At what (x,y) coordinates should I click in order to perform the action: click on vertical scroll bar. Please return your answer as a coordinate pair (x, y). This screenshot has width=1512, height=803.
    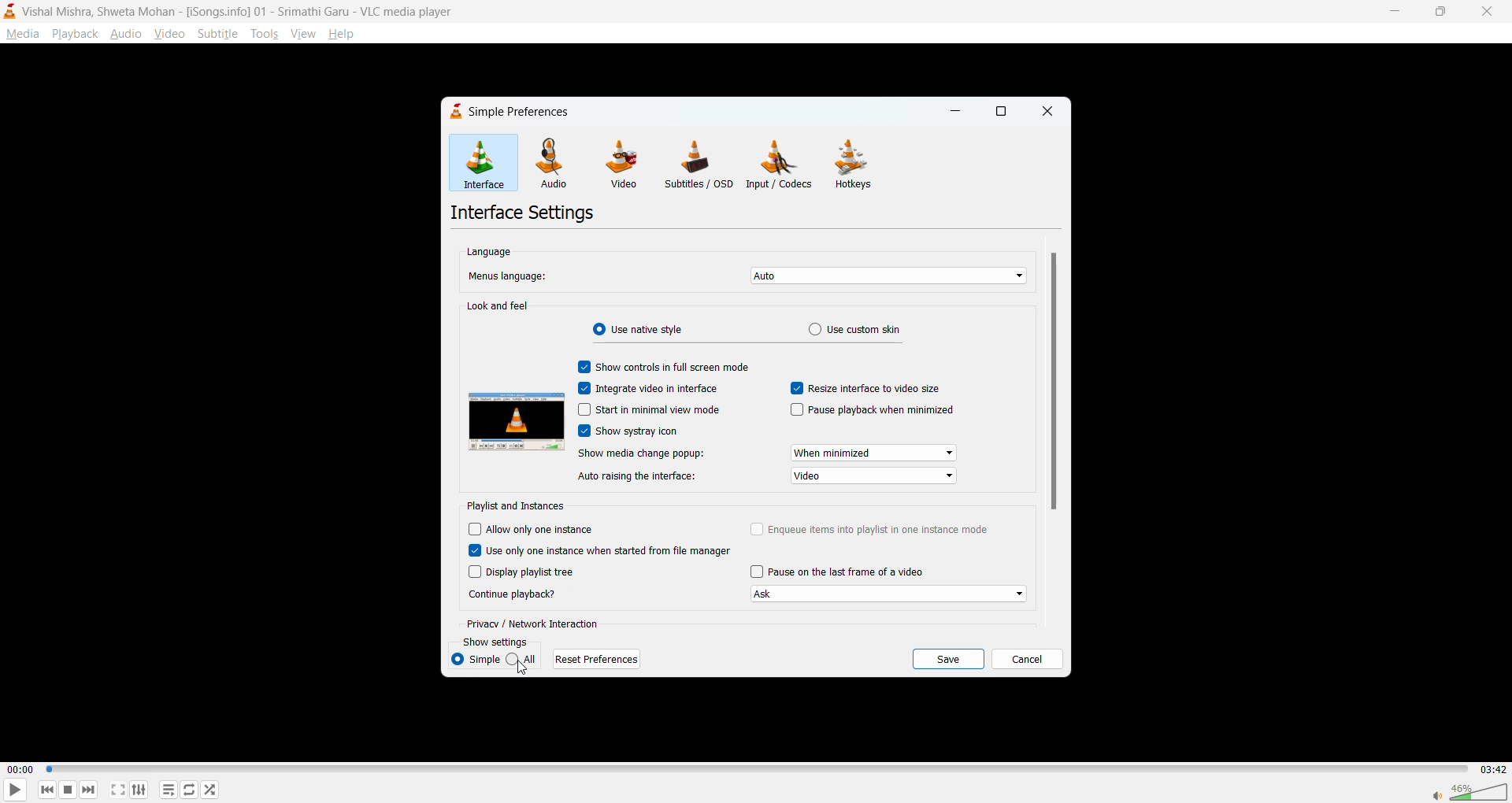
    Looking at the image, I should click on (1052, 384).